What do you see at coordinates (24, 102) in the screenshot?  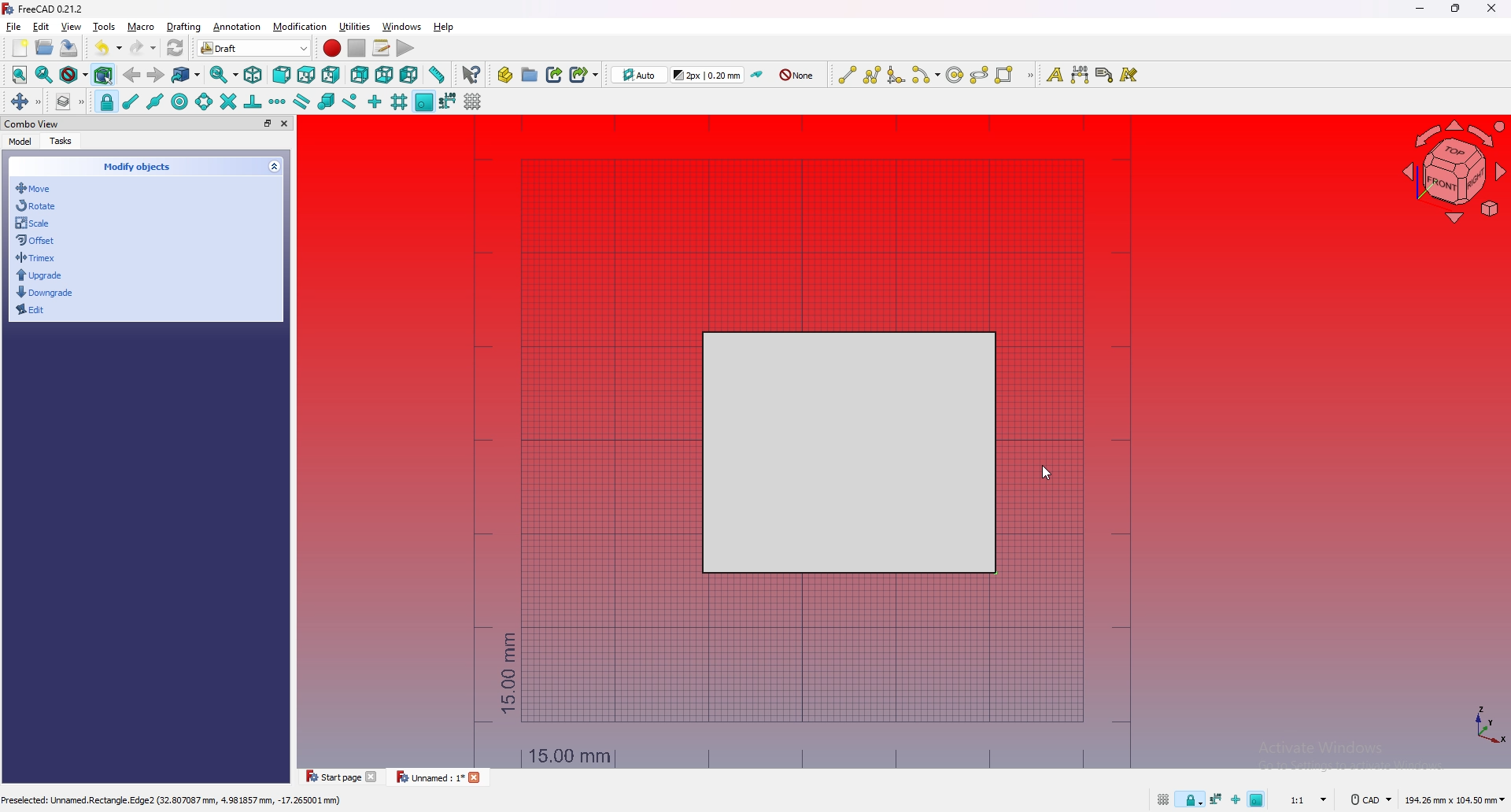 I see `move` at bounding box center [24, 102].